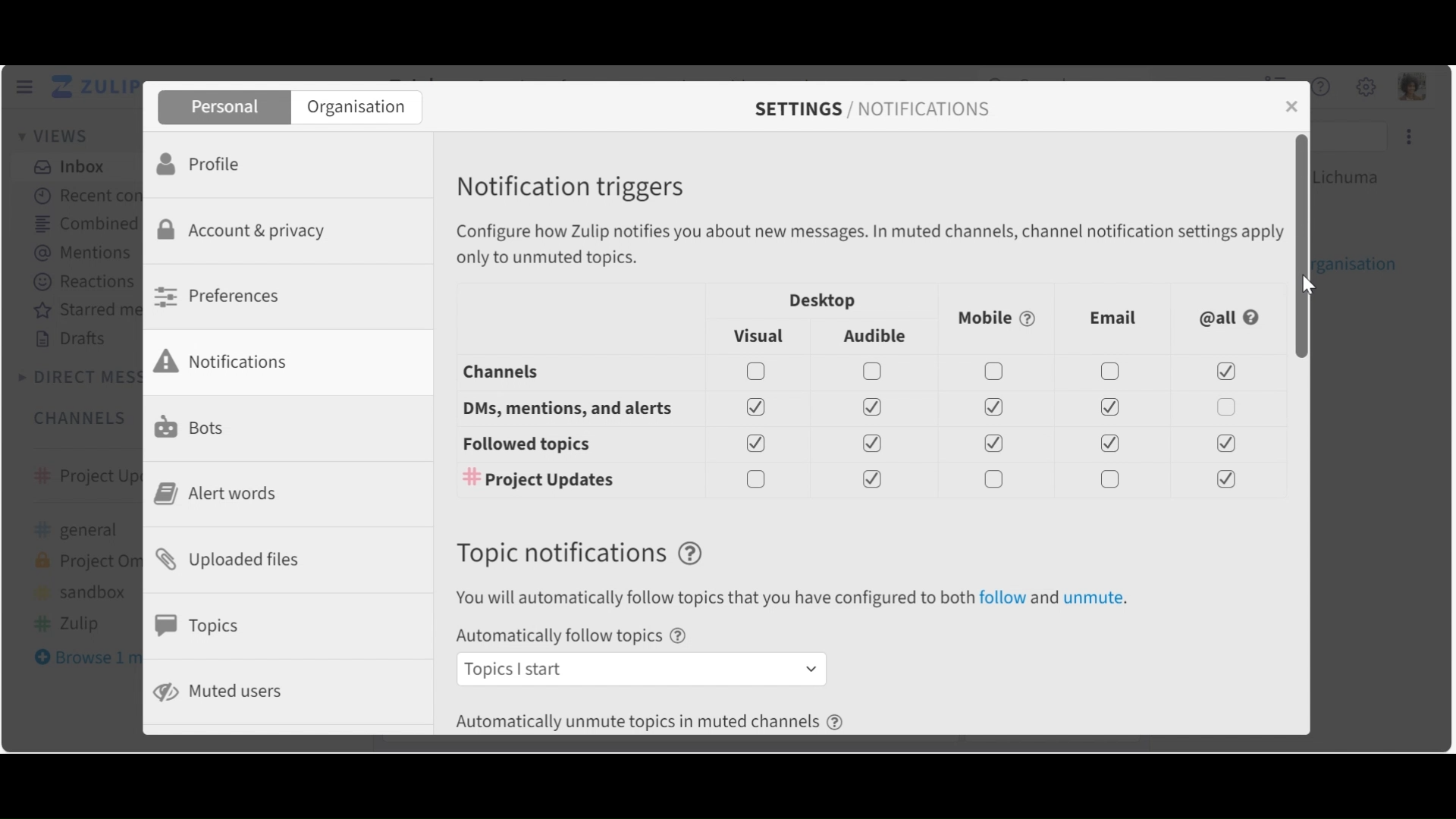 The image size is (1456, 819). I want to click on #Channel, so click(859, 479).